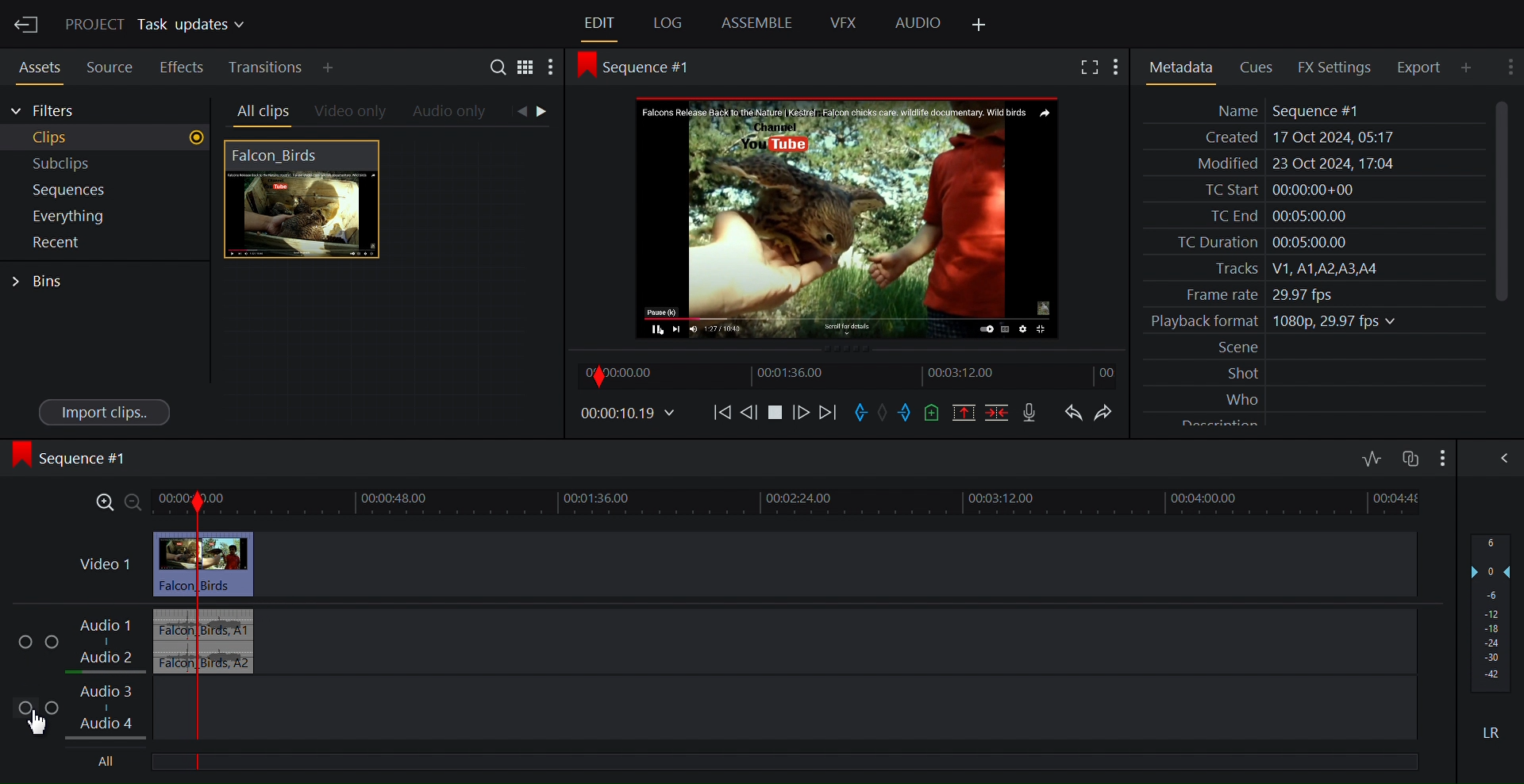 The width and height of the screenshot is (1524, 784). Describe the element at coordinates (112, 643) in the screenshot. I see `Audio Track 1, Audio Track 2` at that location.